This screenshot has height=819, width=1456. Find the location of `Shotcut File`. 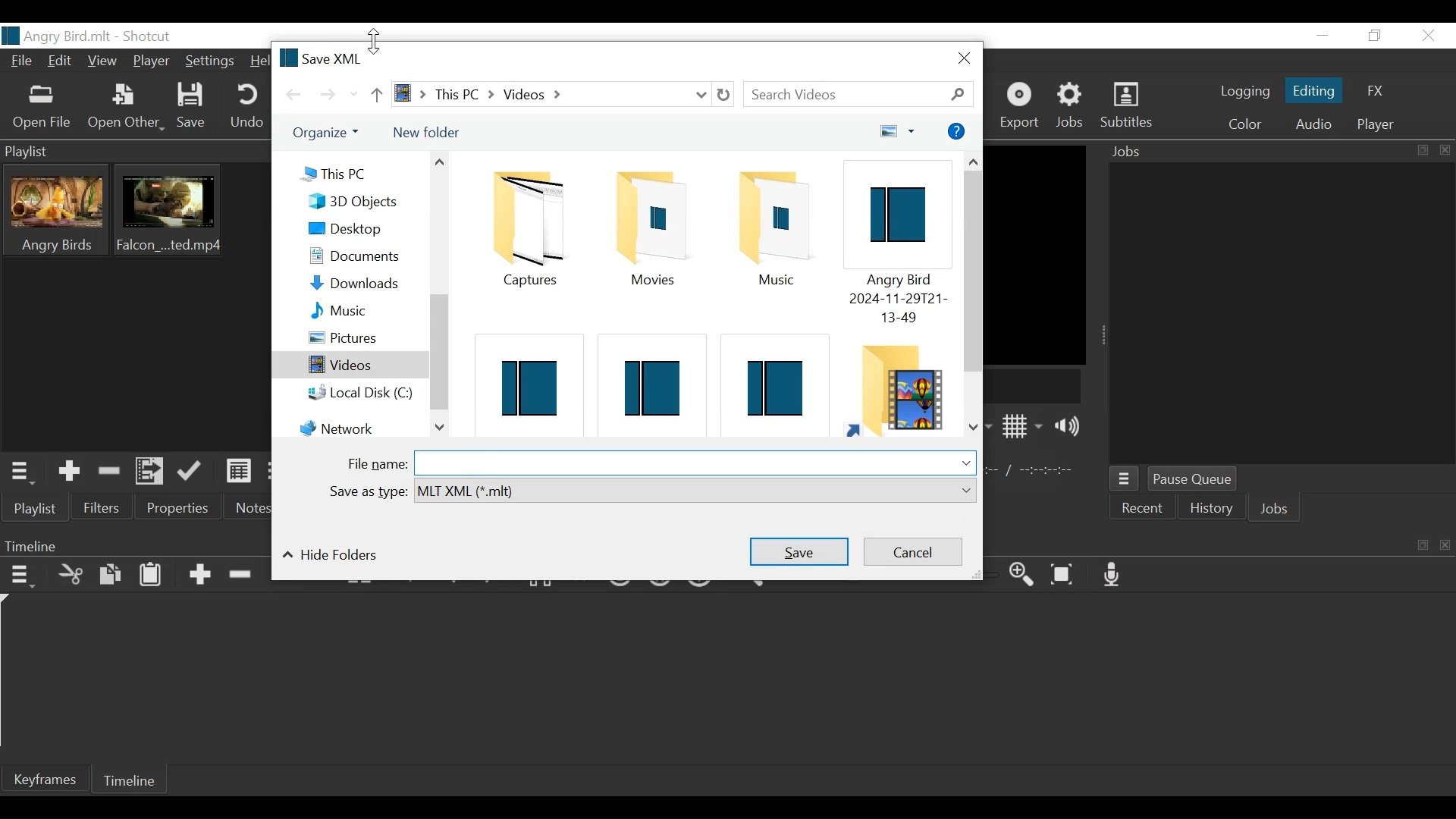

Shotcut File is located at coordinates (771, 379).